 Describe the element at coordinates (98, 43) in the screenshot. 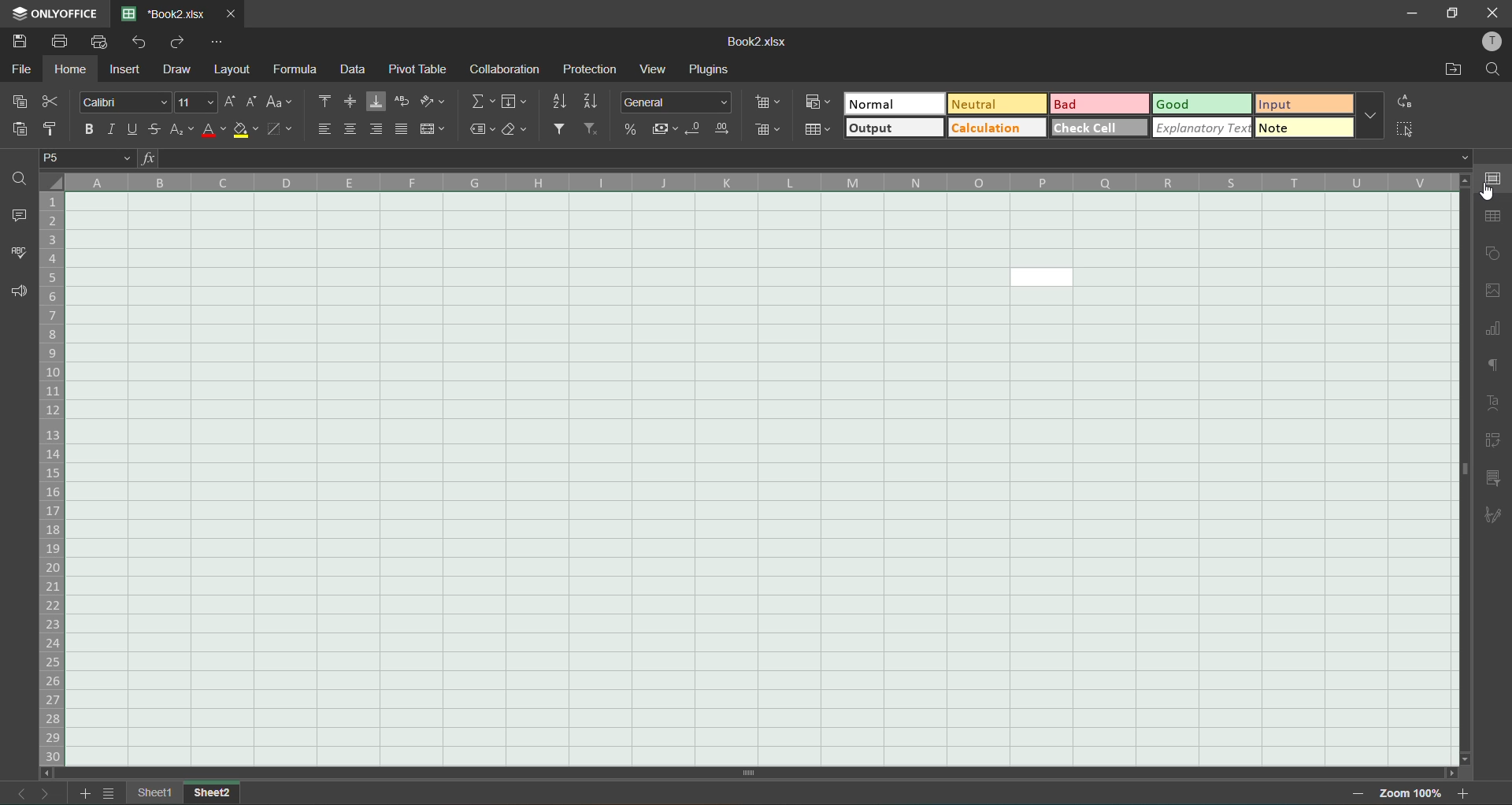

I see `quick print` at that location.